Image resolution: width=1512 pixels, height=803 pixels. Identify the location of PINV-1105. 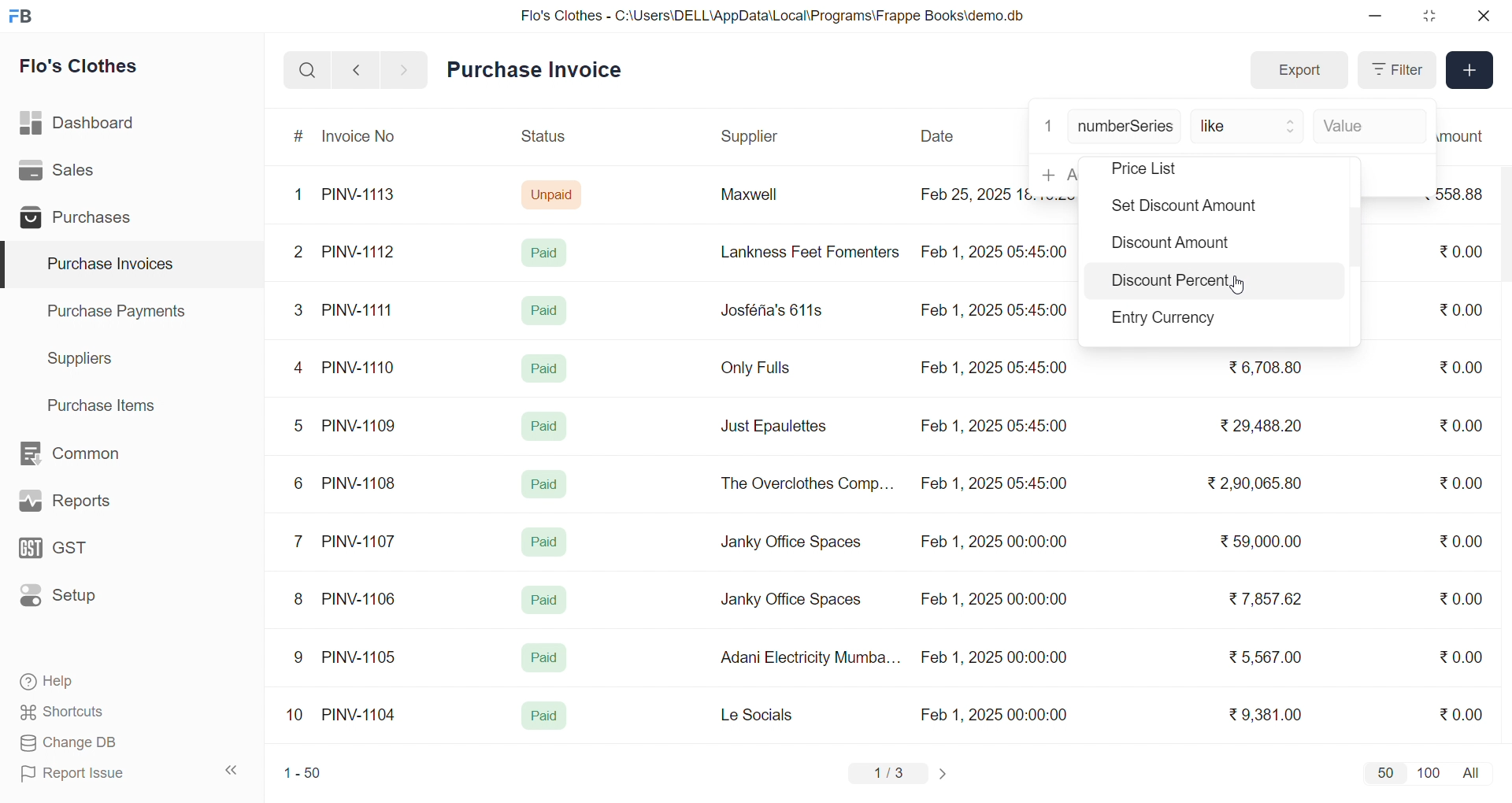
(362, 657).